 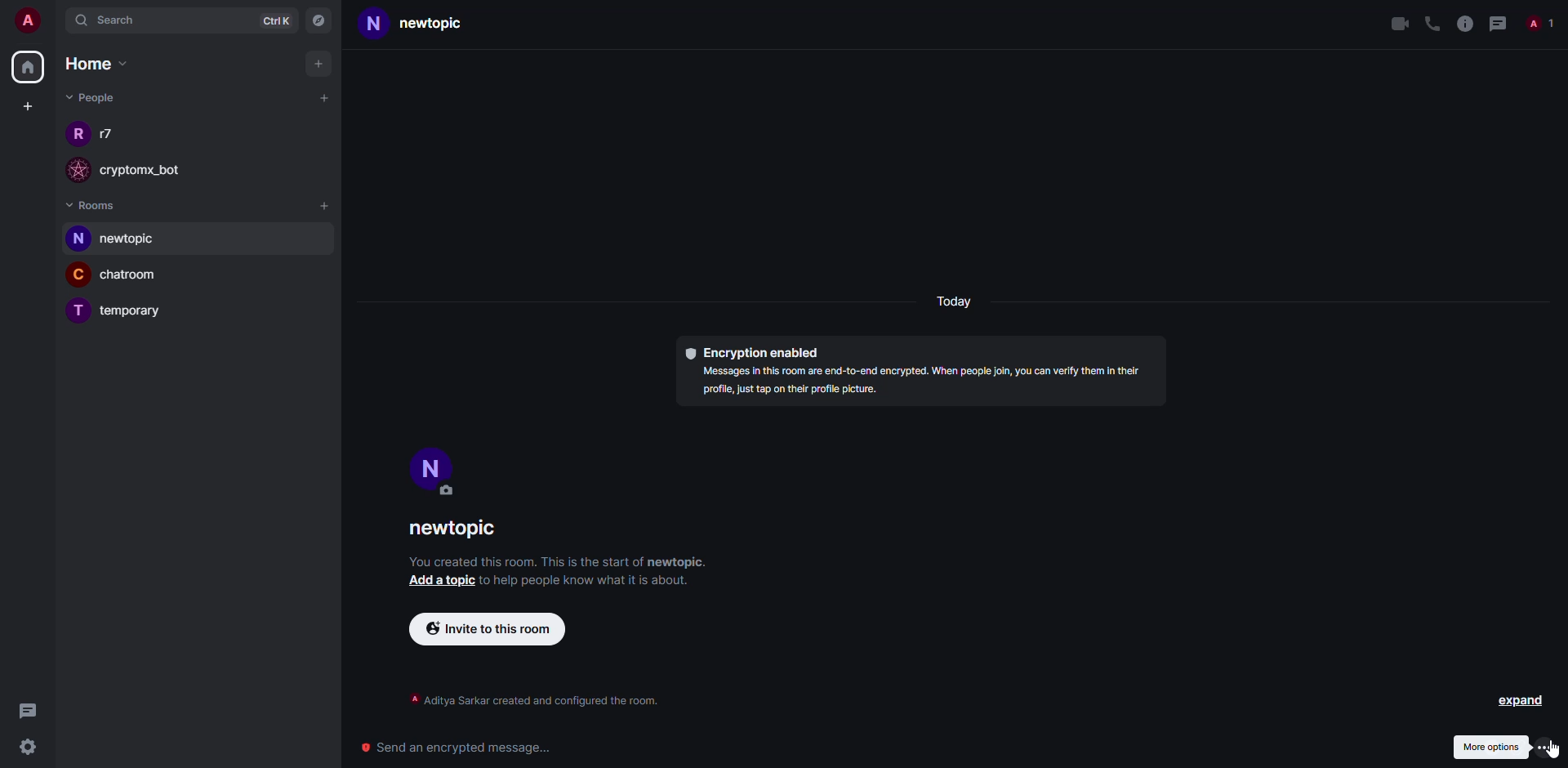 What do you see at coordinates (322, 20) in the screenshot?
I see `navigator` at bounding box center [322, 20].